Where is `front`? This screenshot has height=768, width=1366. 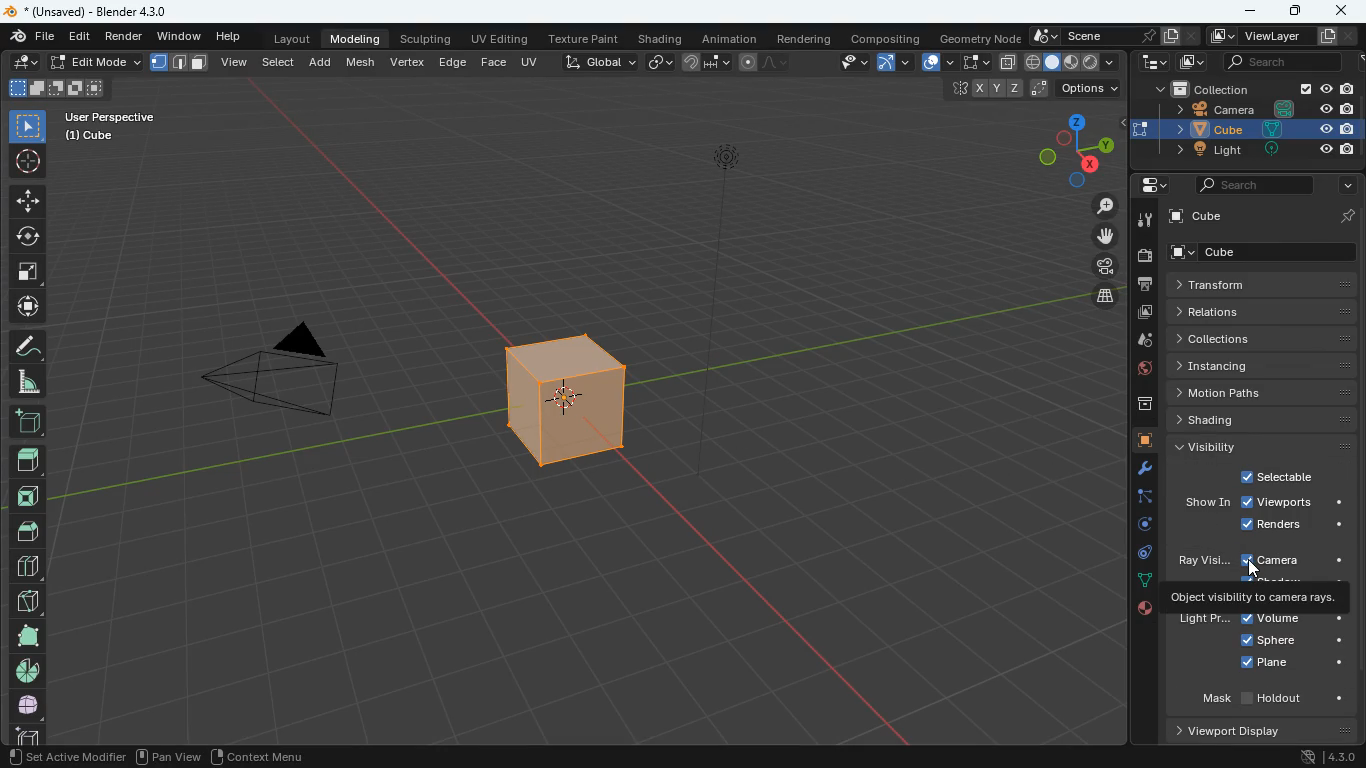
front is located at coordinates (29, 500).